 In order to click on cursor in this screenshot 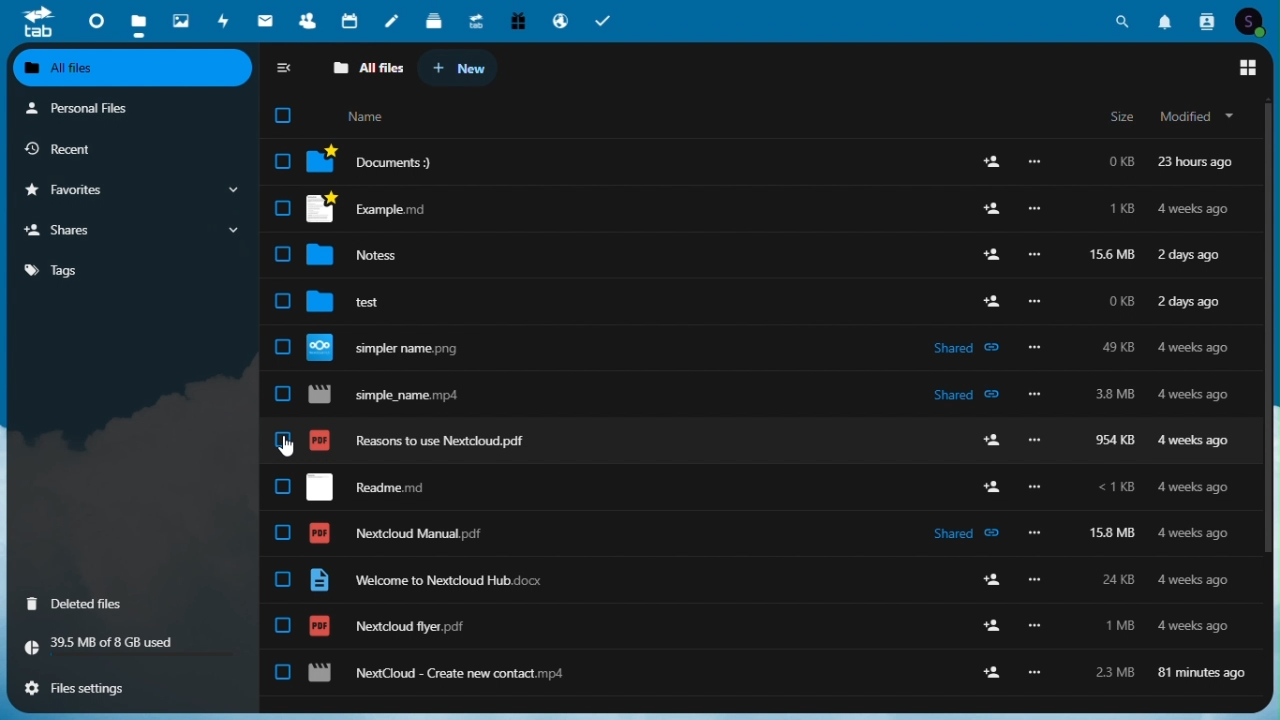, I will do `click(286, 449)`.